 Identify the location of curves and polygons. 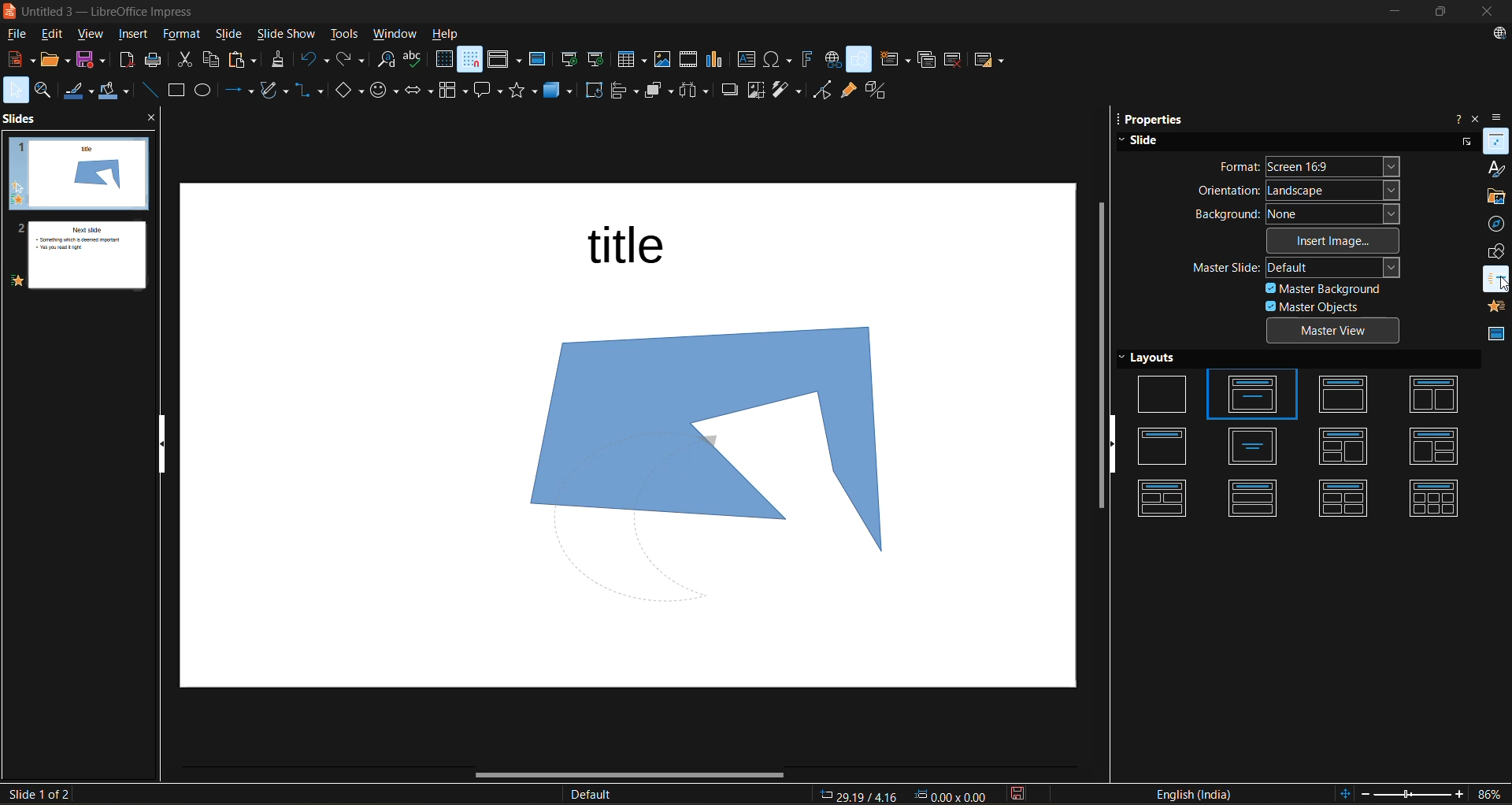
(274, 91).